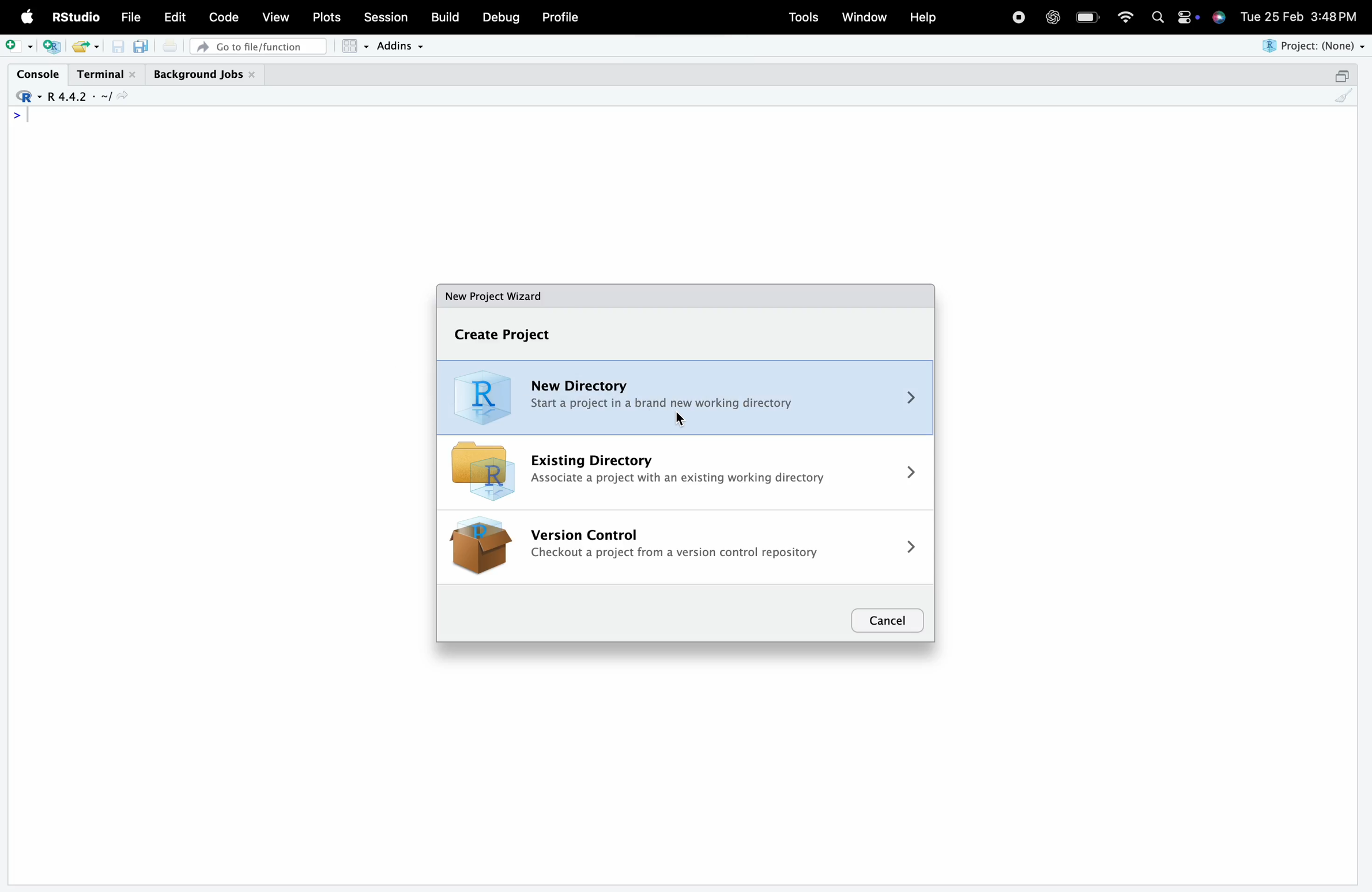 This screenshot has height=892, width=1372. I want to click on maximize, so click(1341, 75).